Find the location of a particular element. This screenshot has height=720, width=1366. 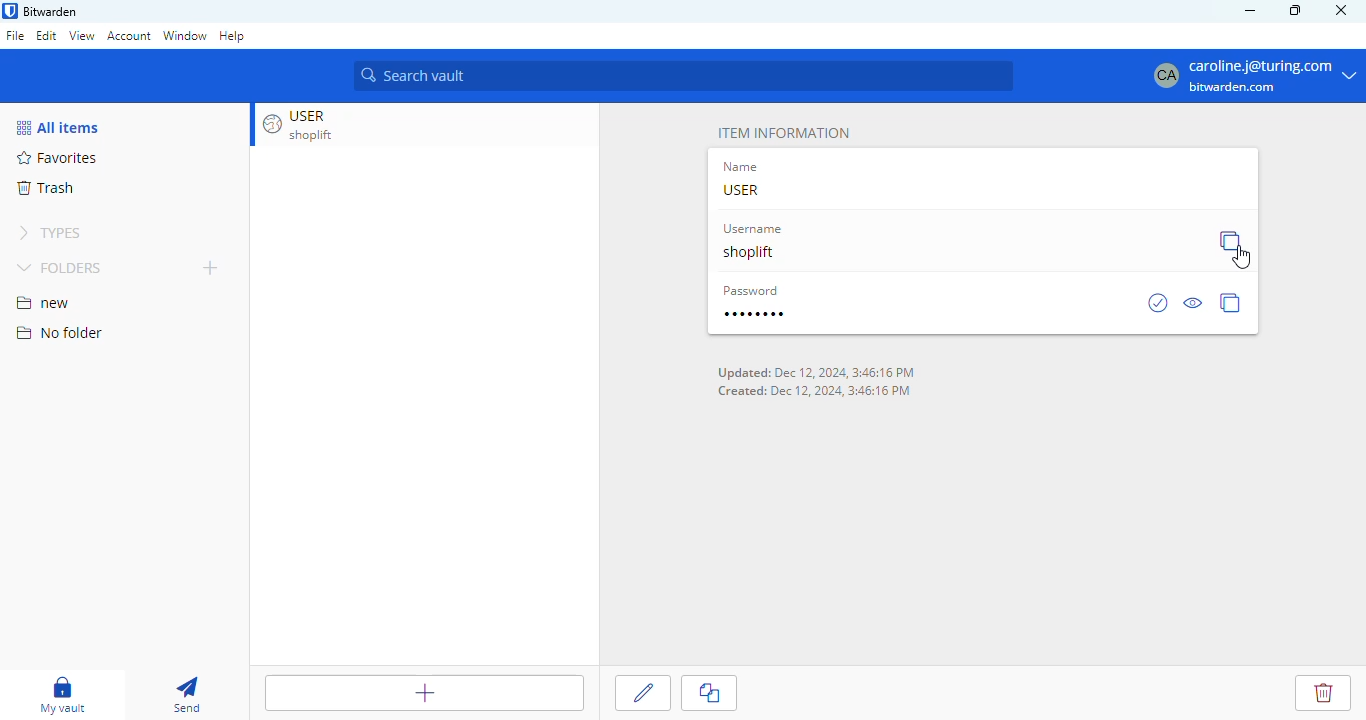

help is located at coordinates (232, 37).